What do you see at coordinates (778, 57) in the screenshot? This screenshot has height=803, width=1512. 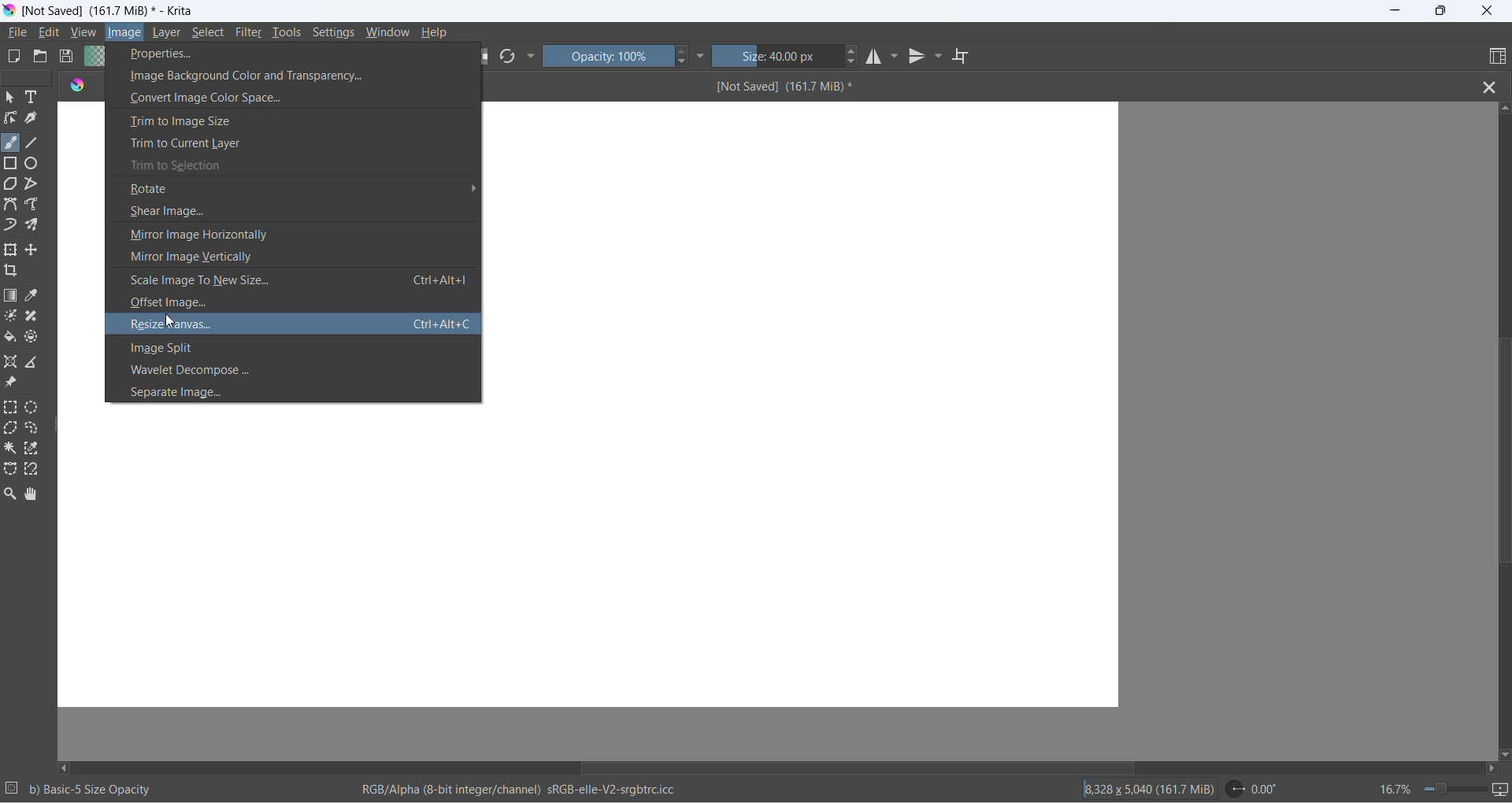 I see `size` at bounding box center [778, 57].